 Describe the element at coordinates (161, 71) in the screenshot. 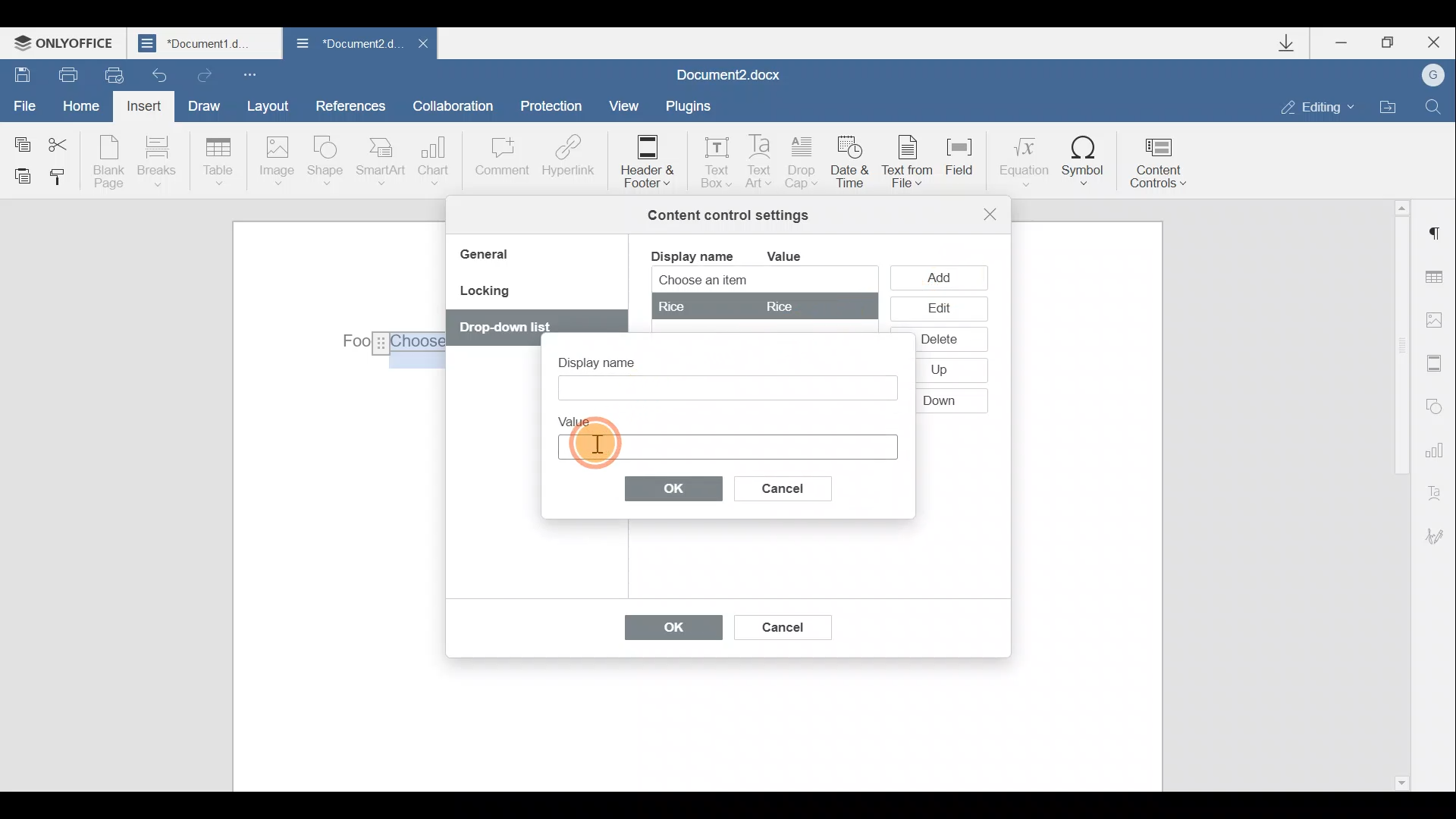

I see `Undo` at that location.